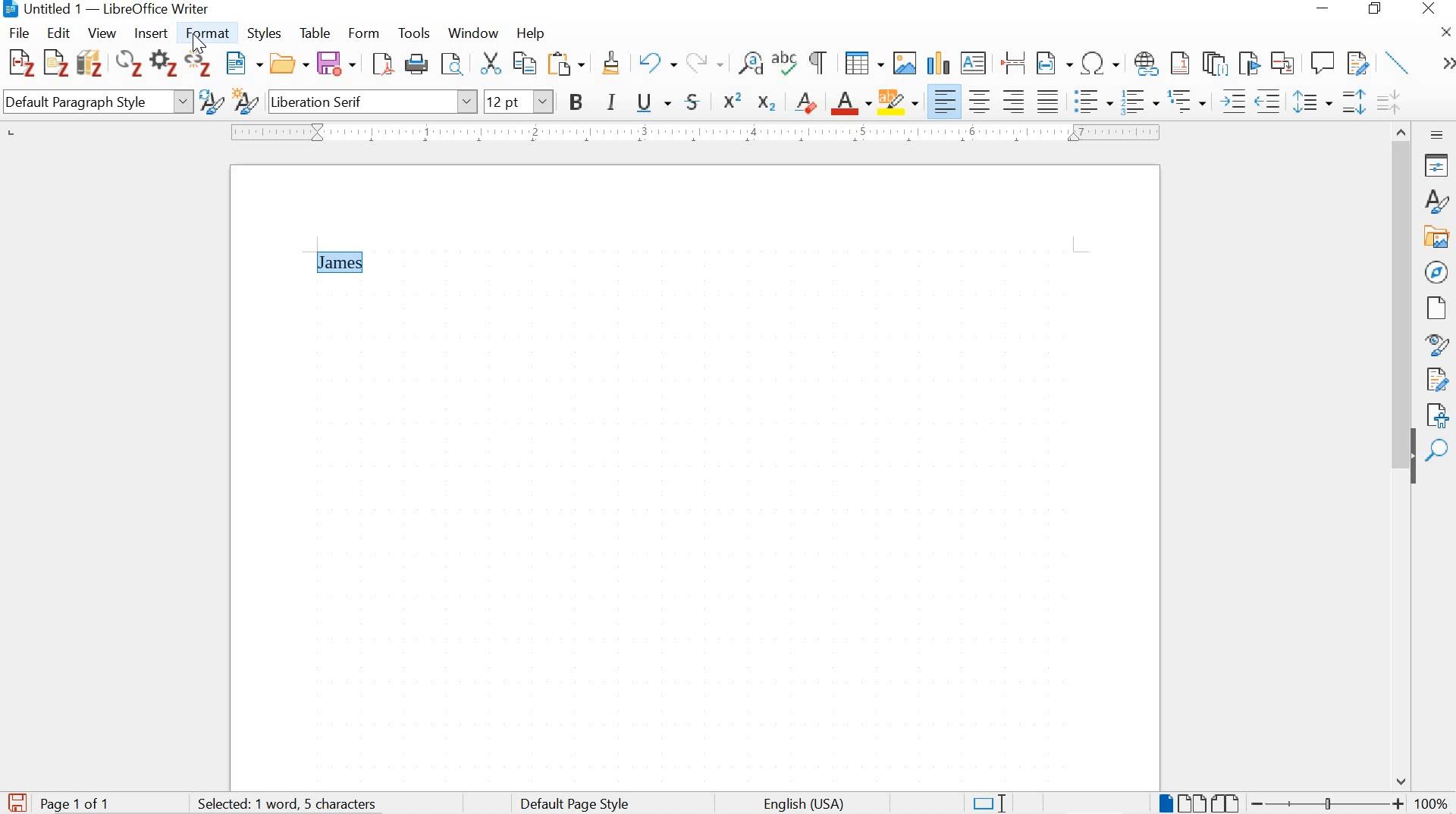 The height and width of the screenshot is (814, 1456). Describe the element at coordinates (980, 101) in the screenshot. I see `align center` at that location.